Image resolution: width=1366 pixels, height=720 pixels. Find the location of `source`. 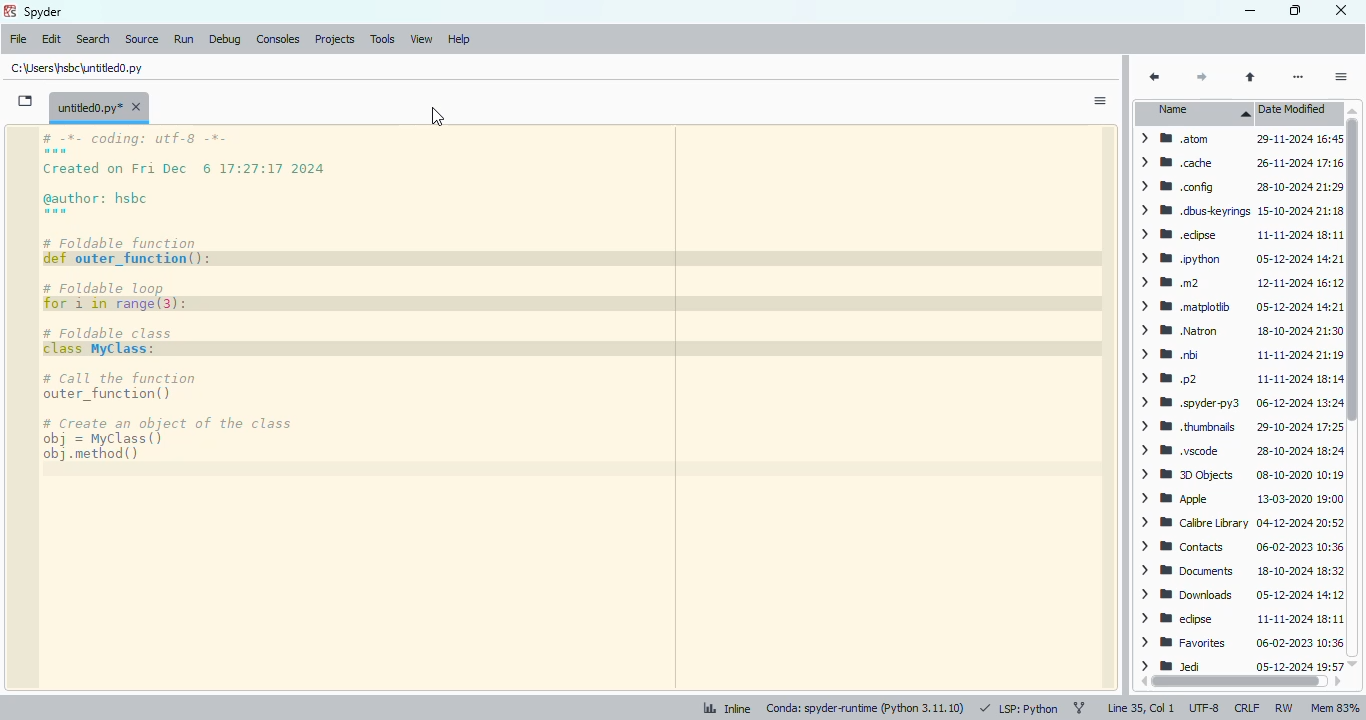

source is located at coordinates (140, 39).